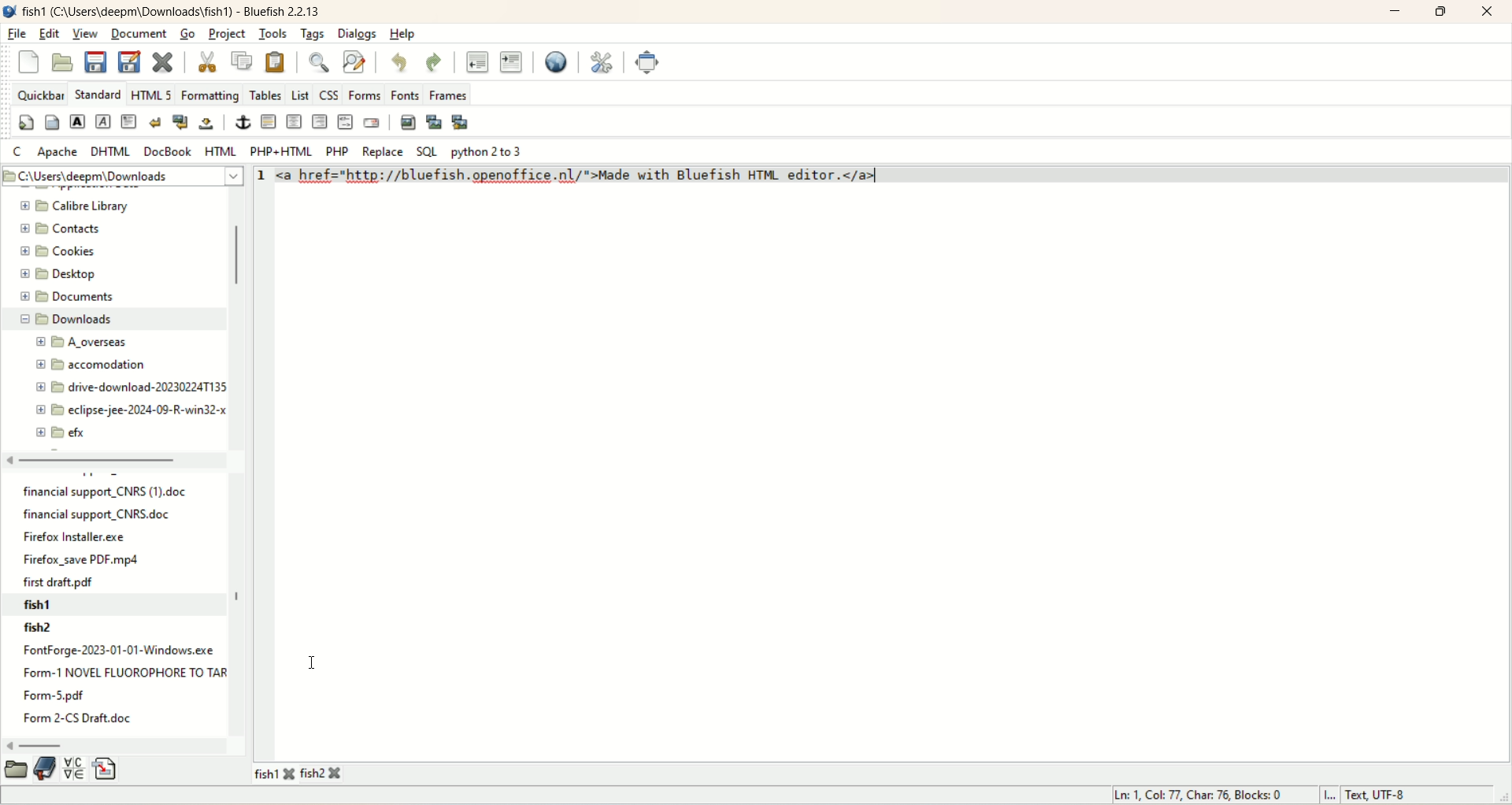 The image size is (1512, 805). Describe the element at coordinates (16, 151) in the screenshot. I see `C` at that location.